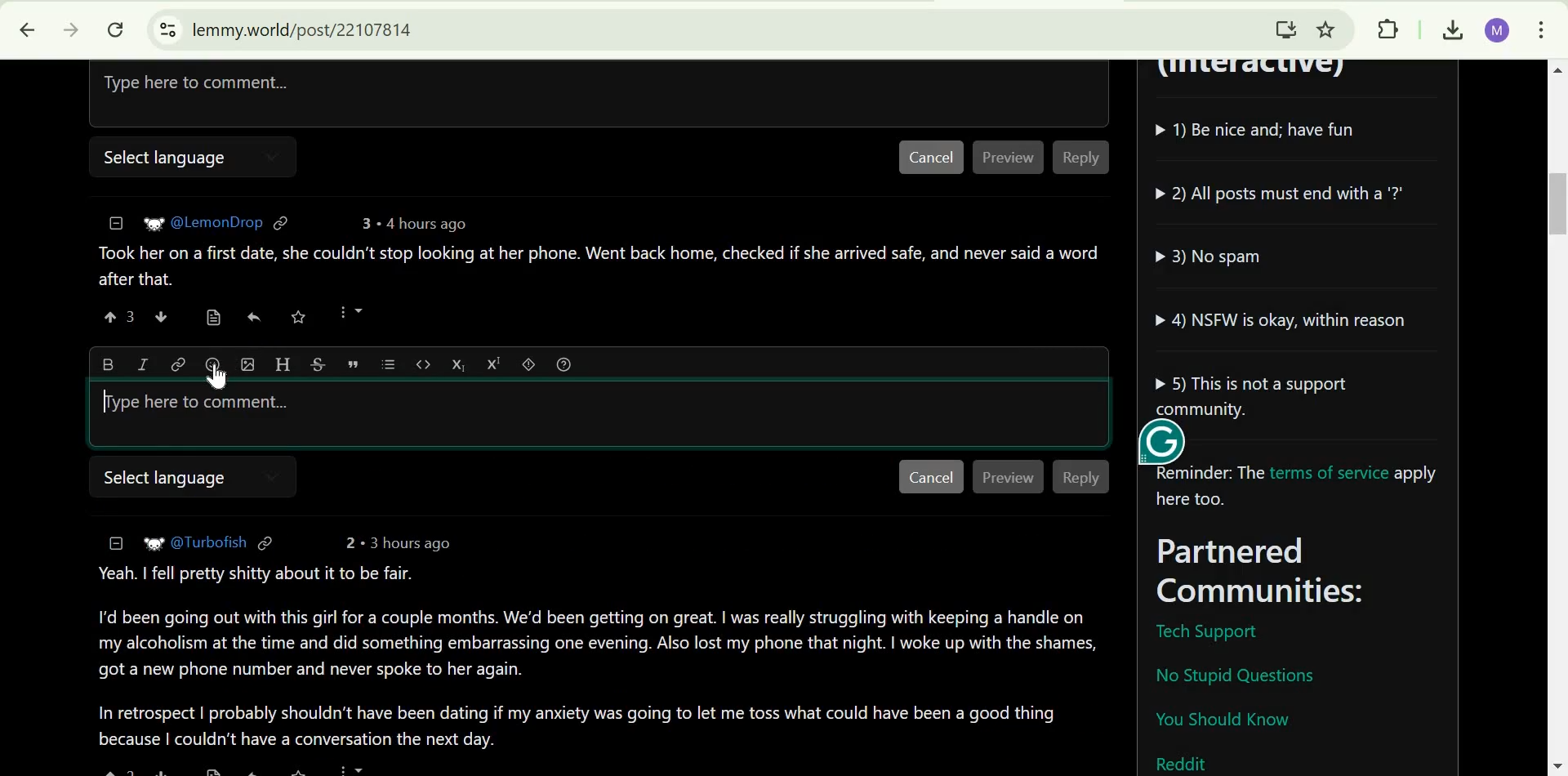 This screenshot has height=776, width=1568. I want to click on View site information, so click(166, 30).